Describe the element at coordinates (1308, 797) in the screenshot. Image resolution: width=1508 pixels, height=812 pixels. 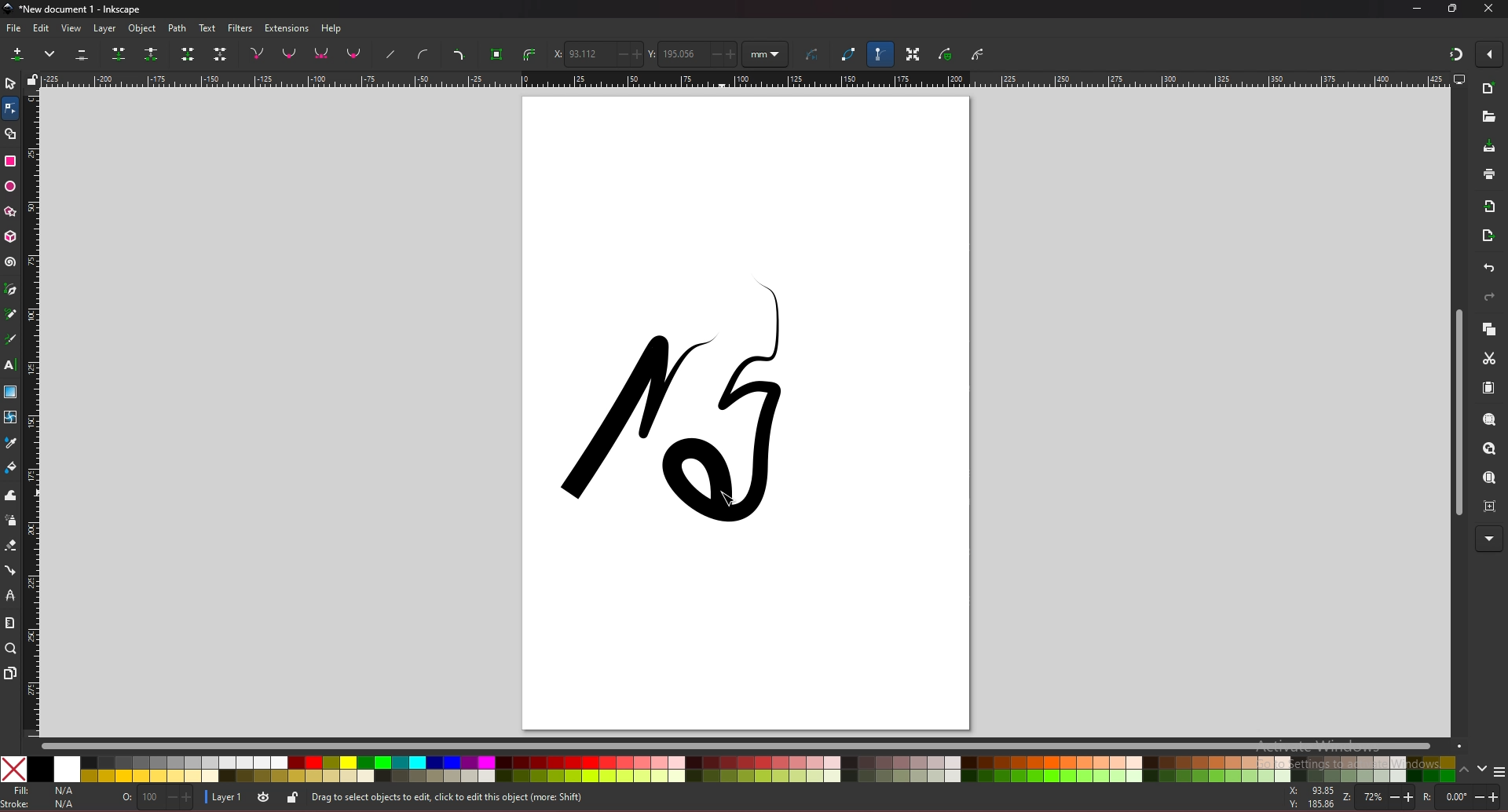
I see `x and y coordinates` at that location.